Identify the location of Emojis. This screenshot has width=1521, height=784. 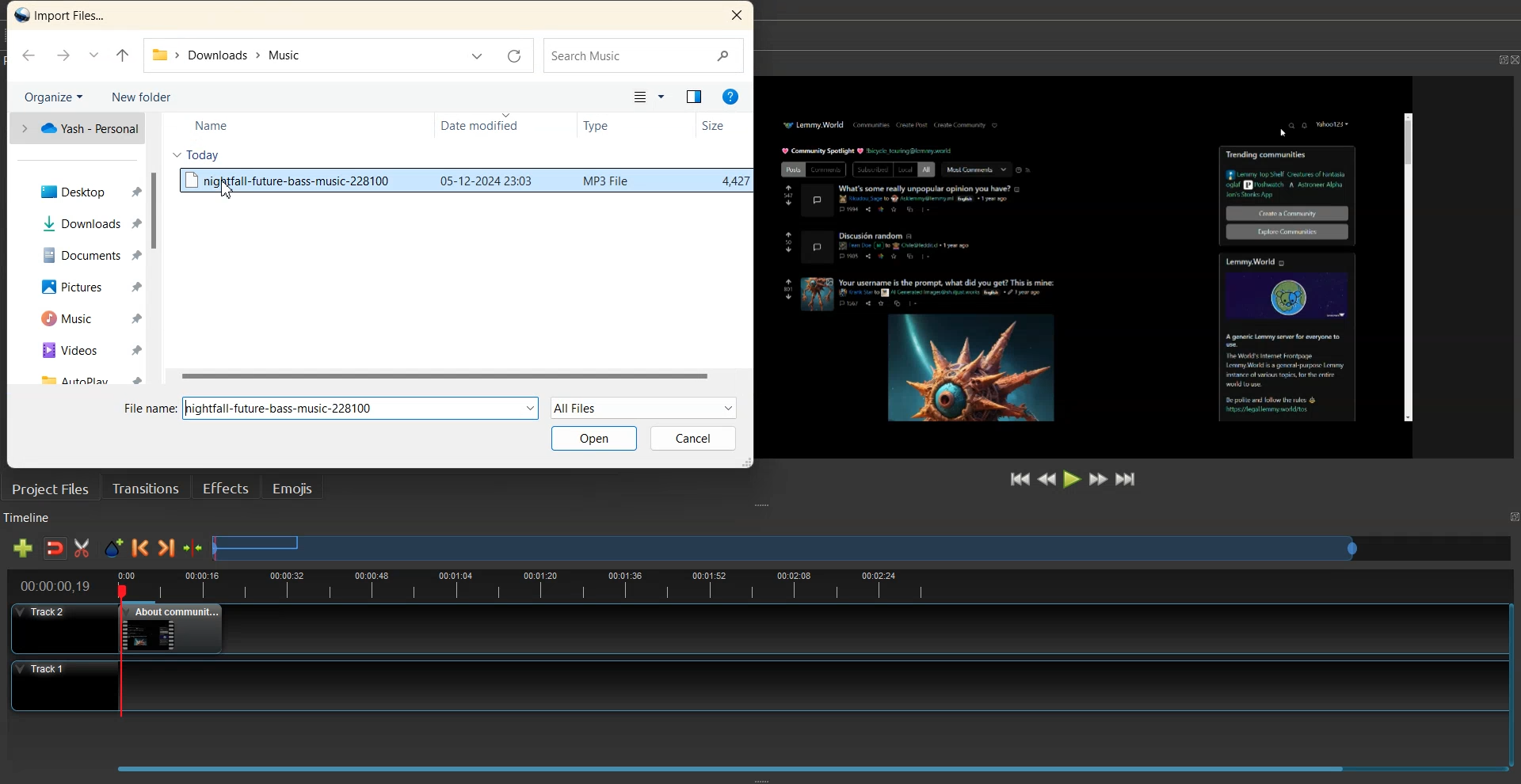
(294, 487).